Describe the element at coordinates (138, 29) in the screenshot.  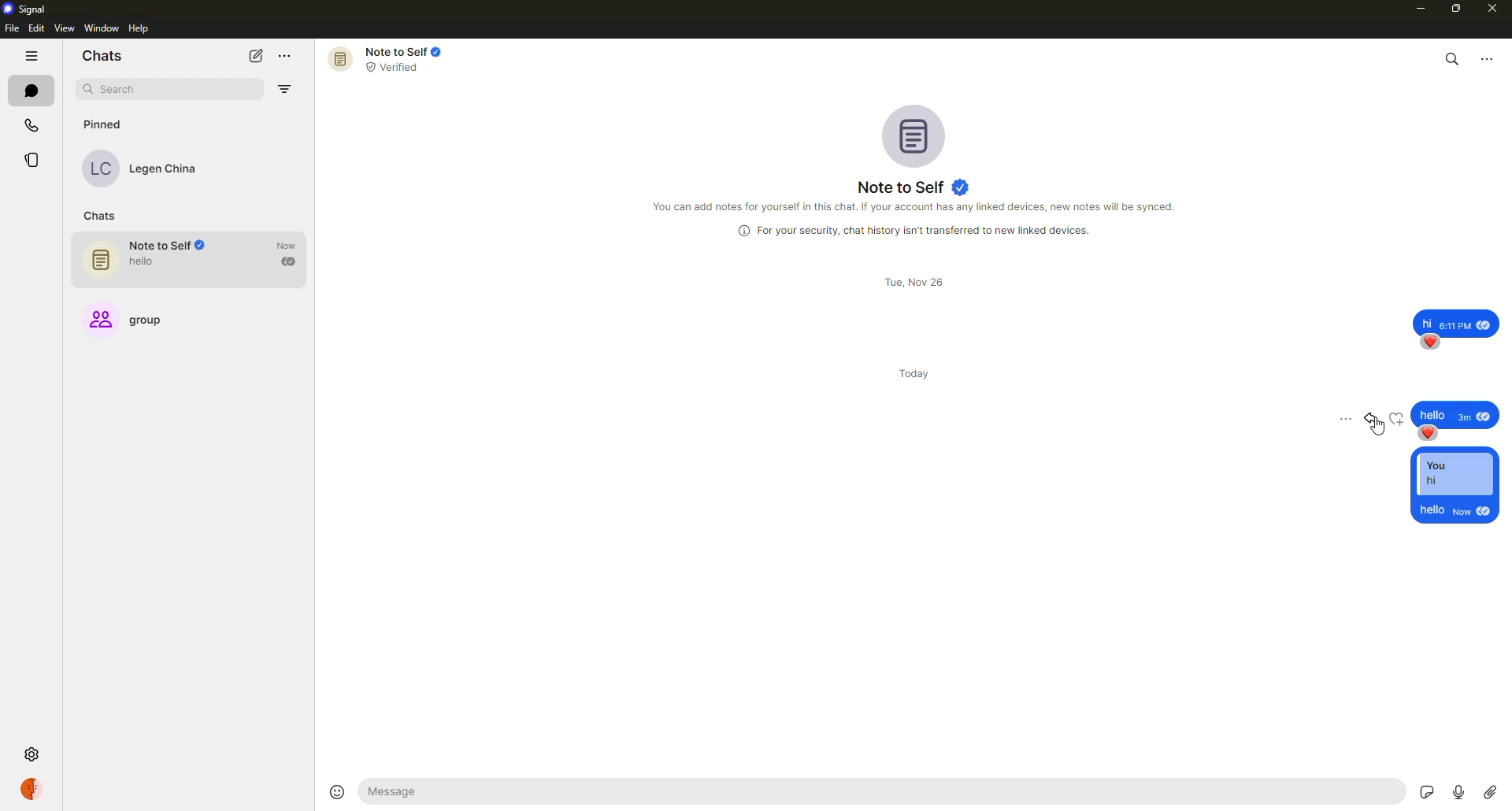
I see `help` at that location.